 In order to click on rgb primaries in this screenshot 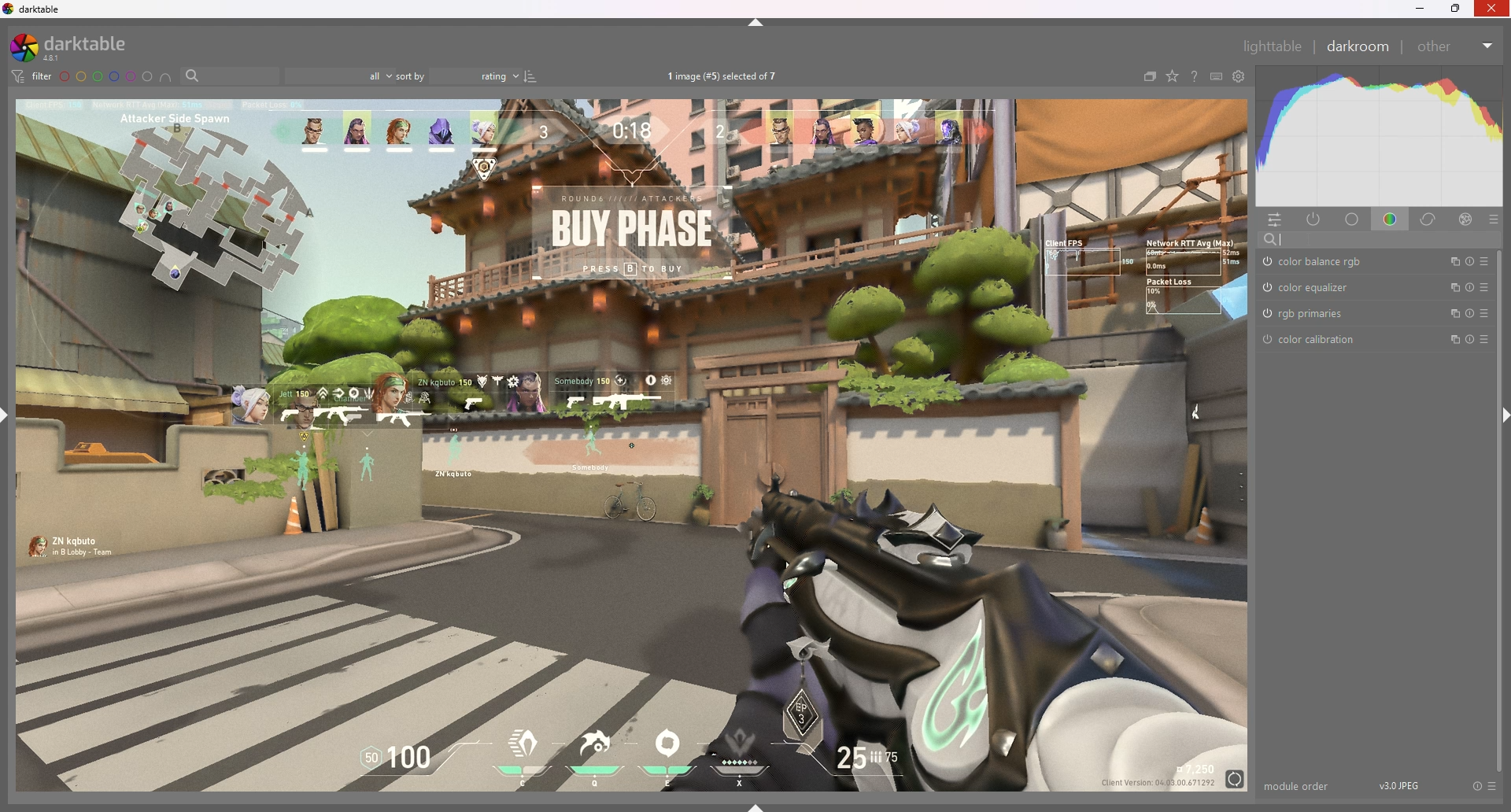, I will do `click(1311, 313)`.